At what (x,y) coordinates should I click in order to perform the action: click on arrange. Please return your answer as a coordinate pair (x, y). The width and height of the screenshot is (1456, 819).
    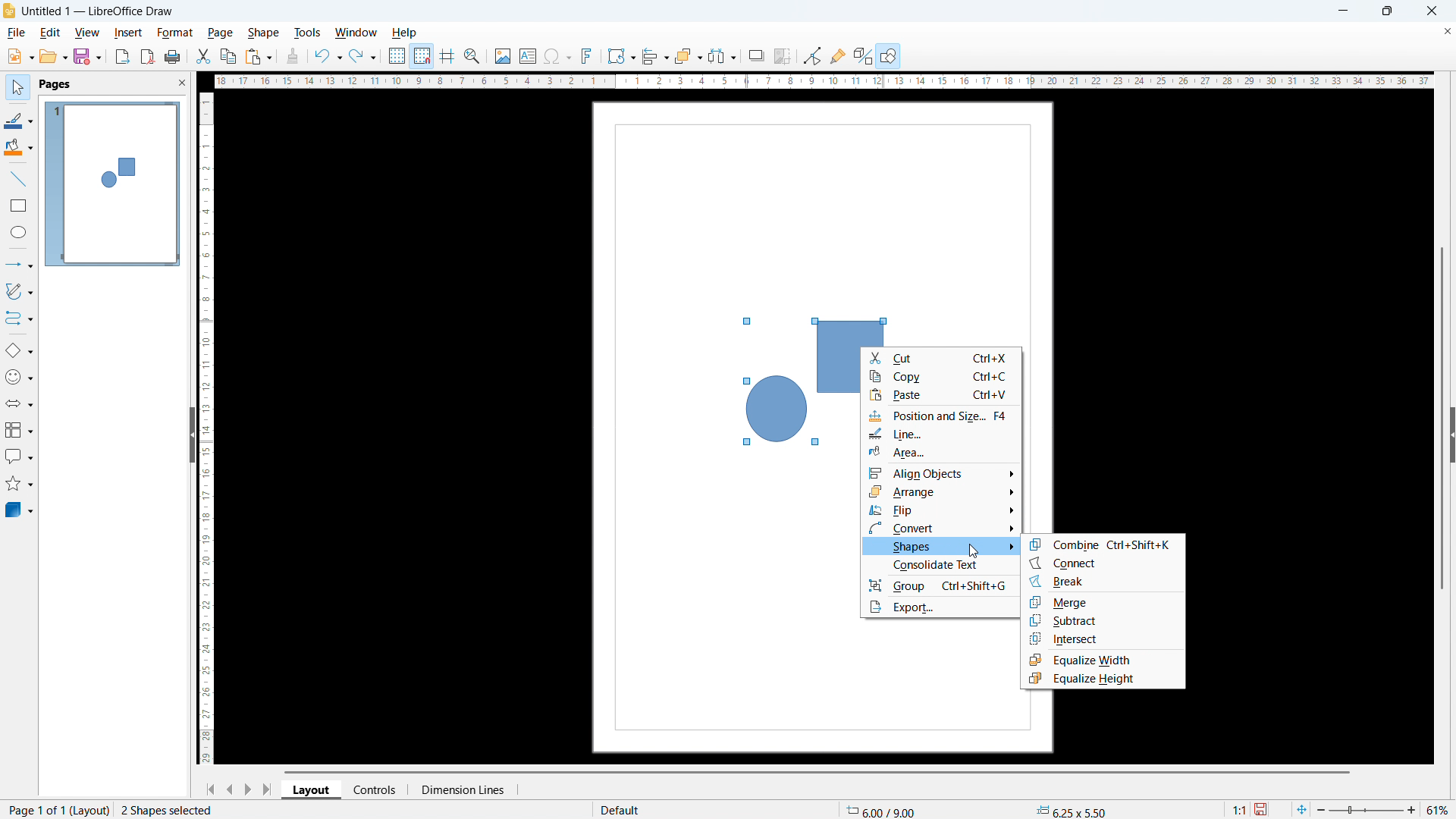
    Looking at the image, I should click on (687, 57).